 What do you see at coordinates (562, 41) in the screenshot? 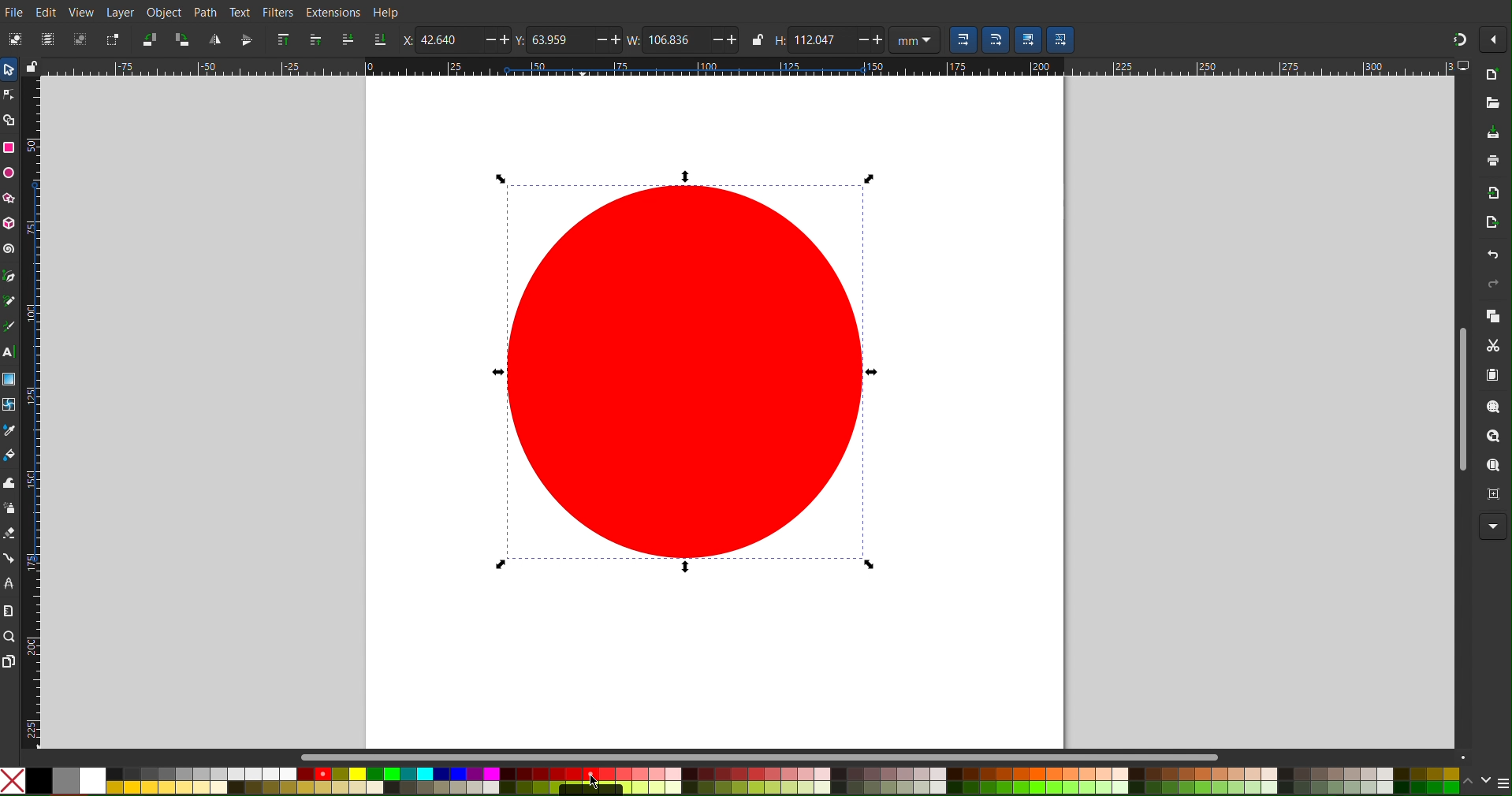
I see `63` at bounding box center [562, 41].